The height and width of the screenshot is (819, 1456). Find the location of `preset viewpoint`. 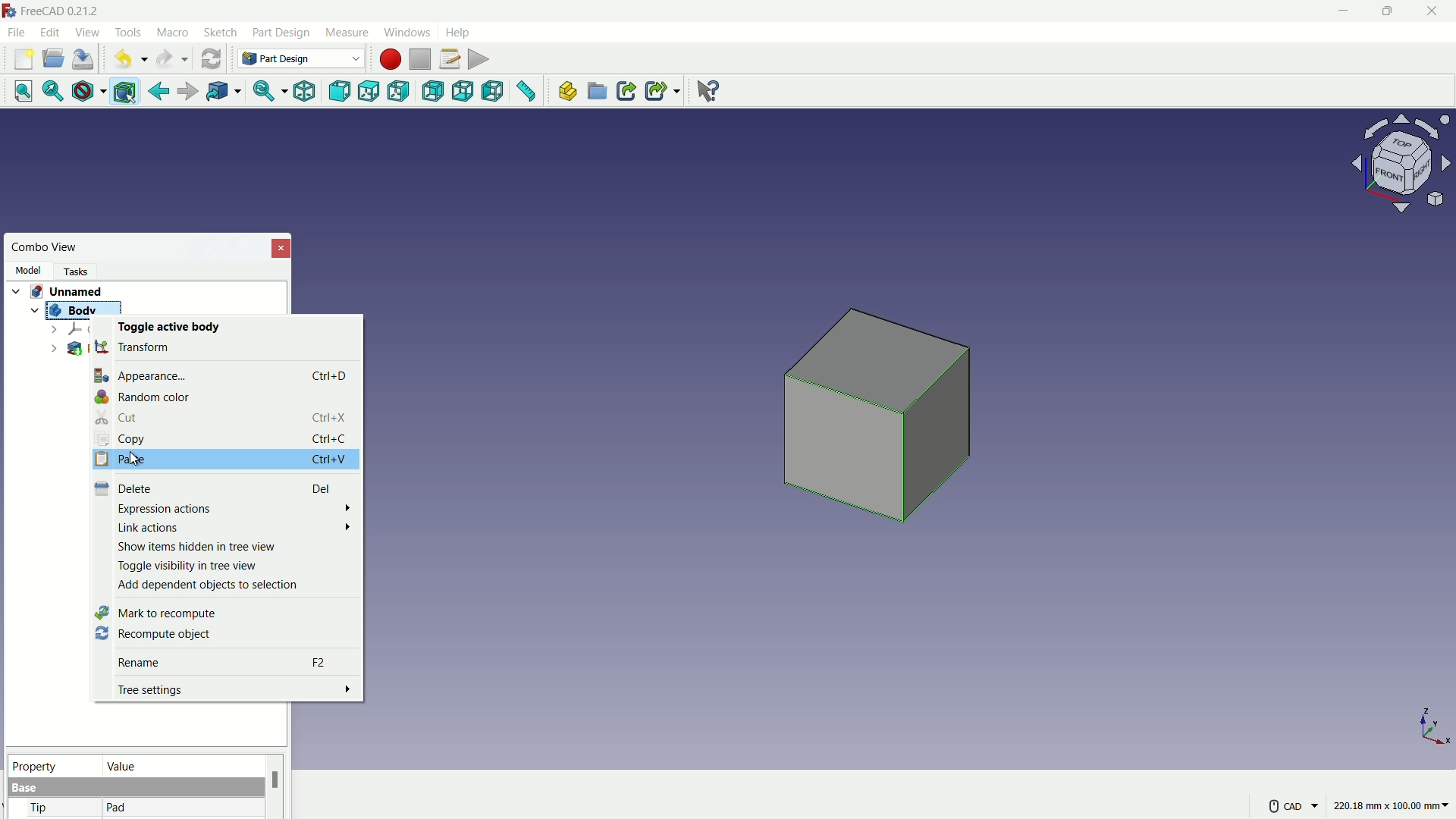

preset viewpoint is located at coordinates (1406, 171).